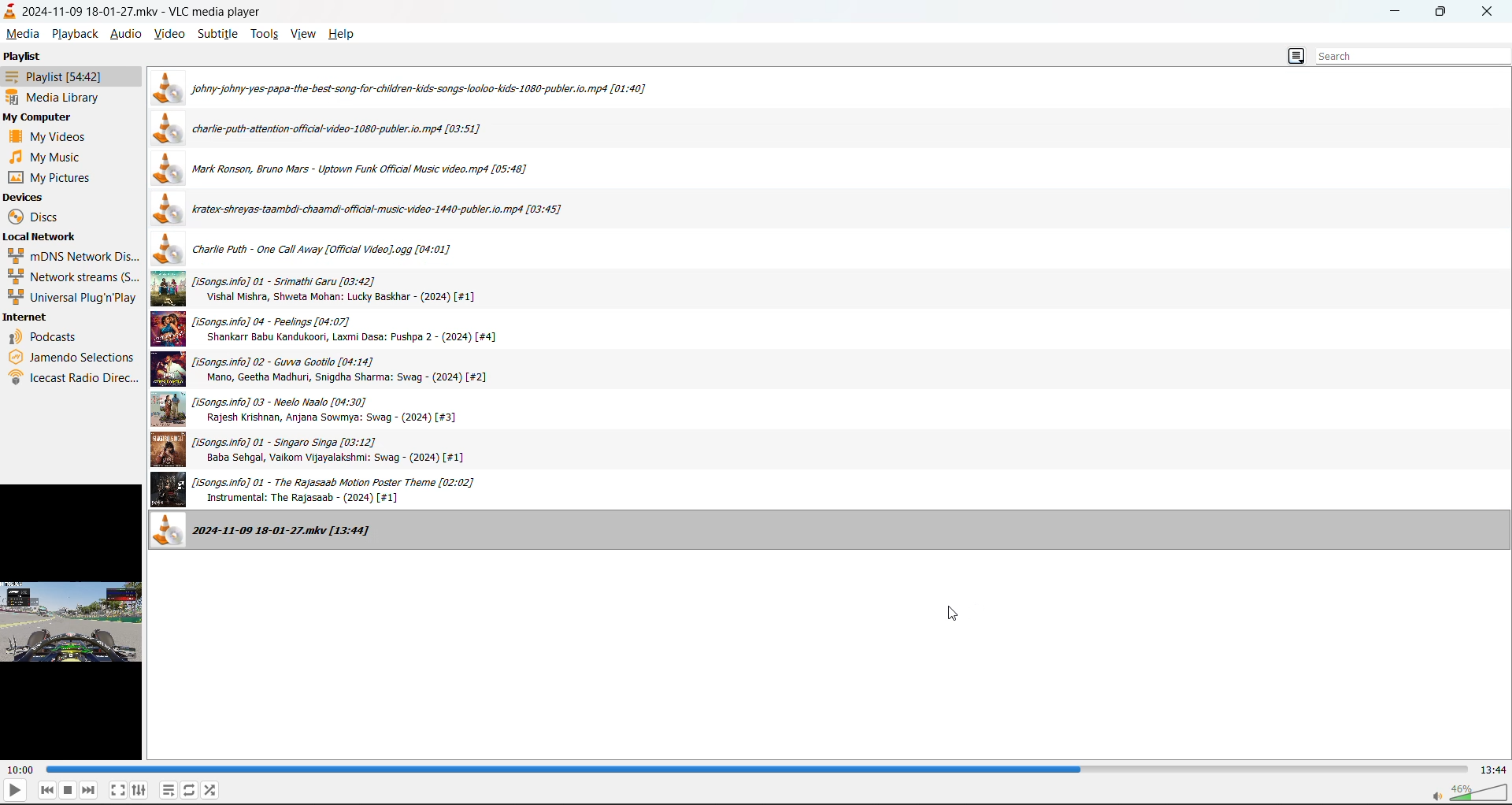  What do you see at coordinates (34, 216) in the screenshot?
I see `discs` at bounding box center [34, 216].